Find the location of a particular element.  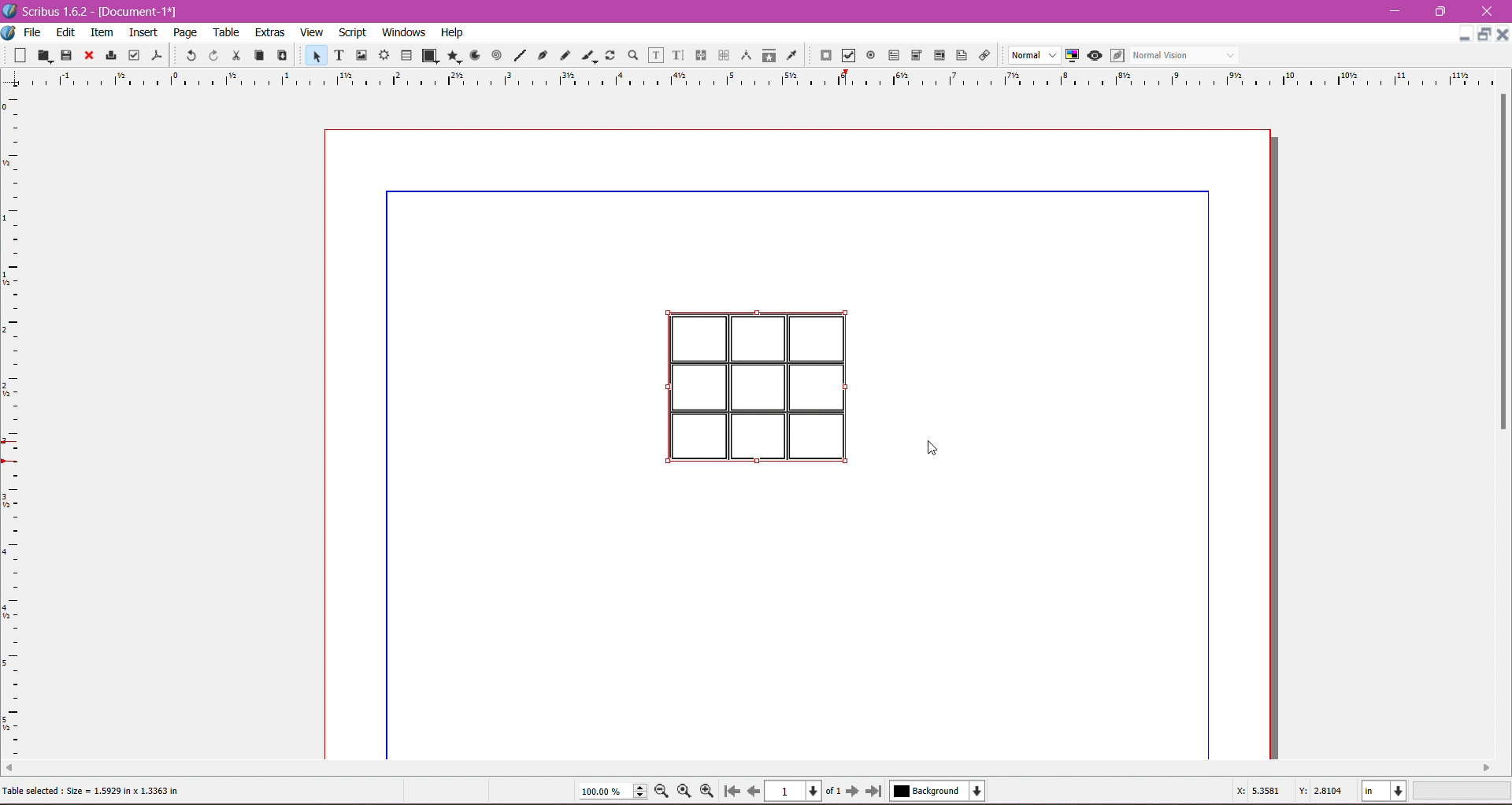

Next Page is located at coordinates (854, 790).